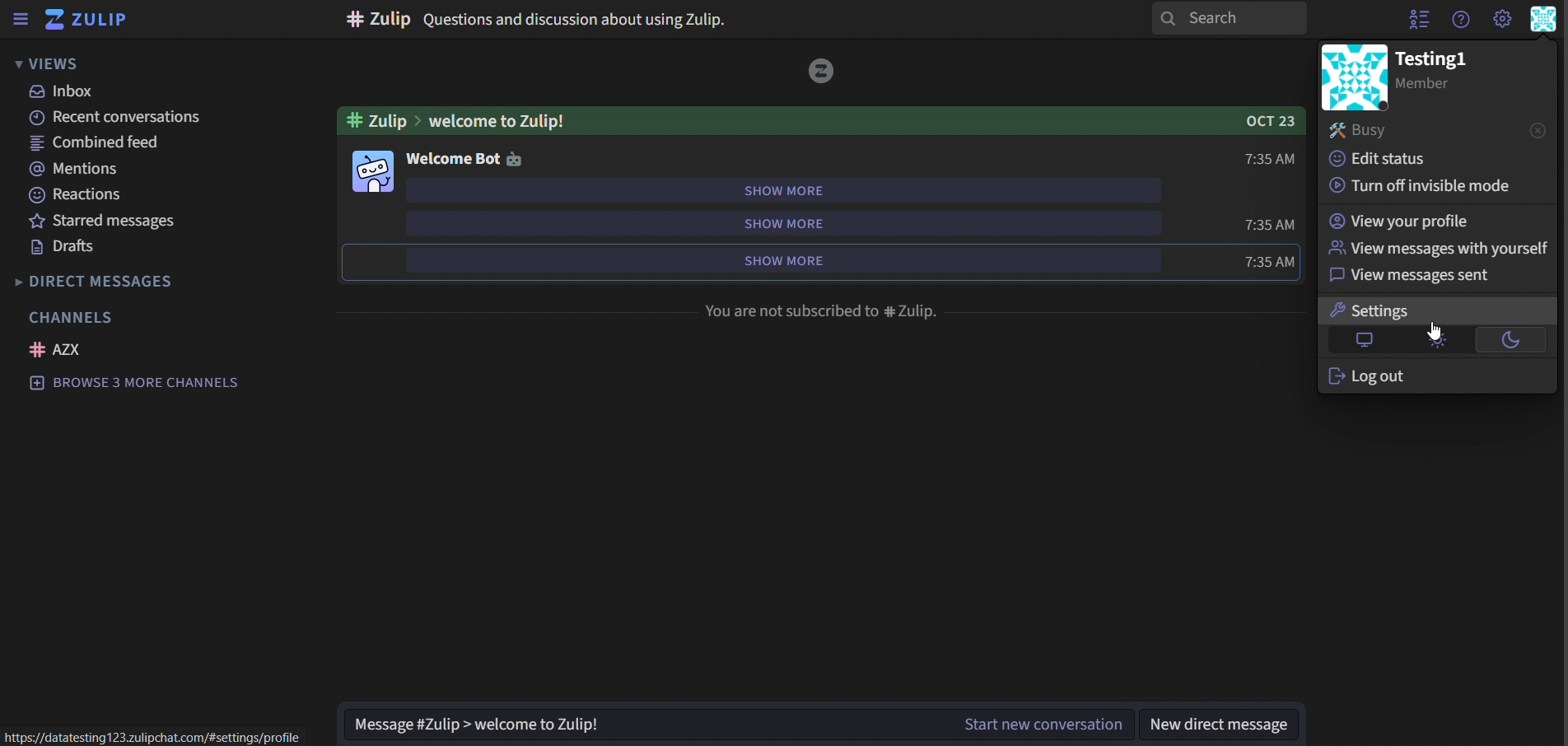  I want to click on starred messages, so click(105, 221).